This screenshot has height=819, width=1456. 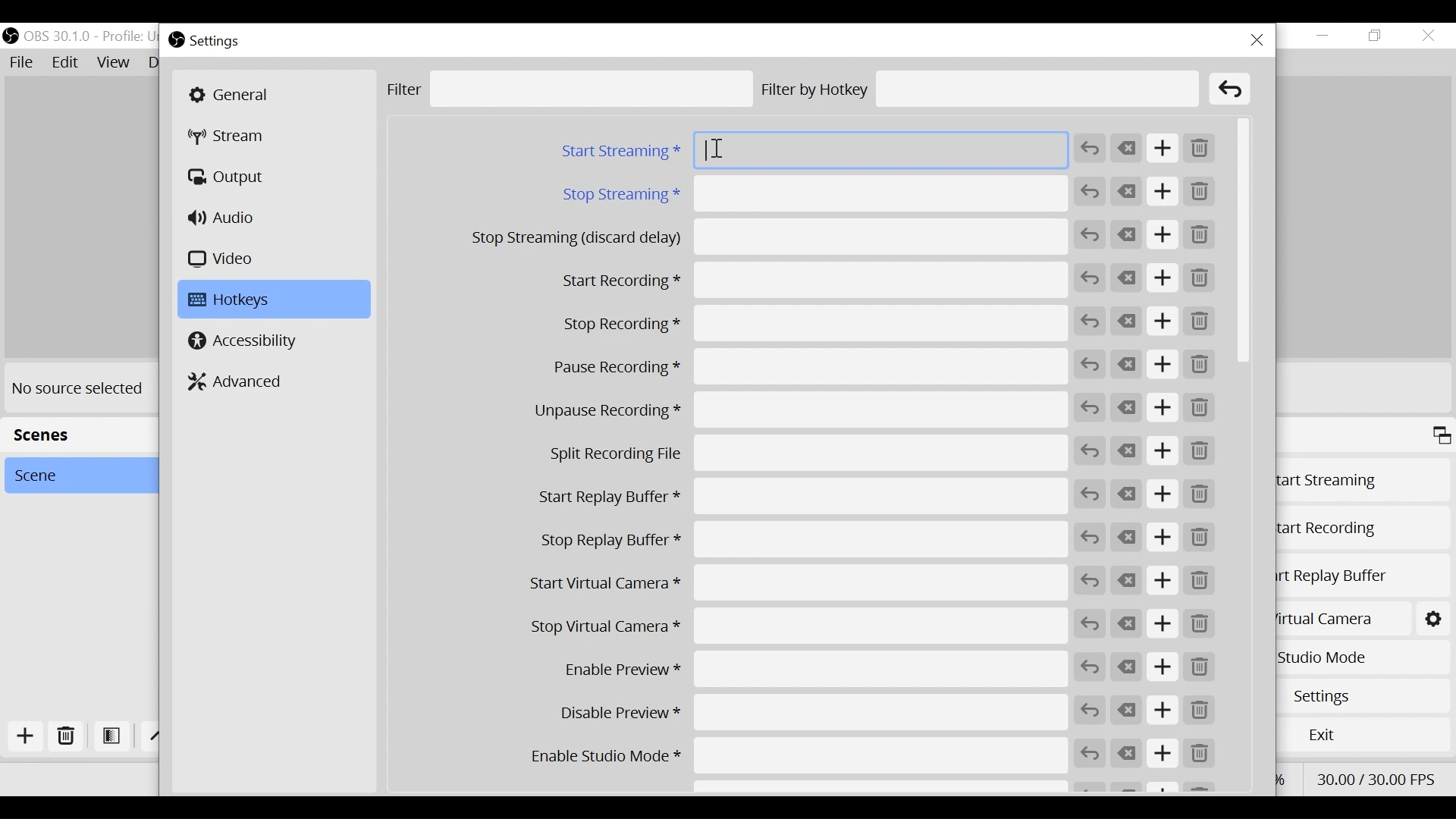 What do you see at coordinates (1091, 581) in the screenshot?
I see `Revert` at bounding box center [1091, 581].